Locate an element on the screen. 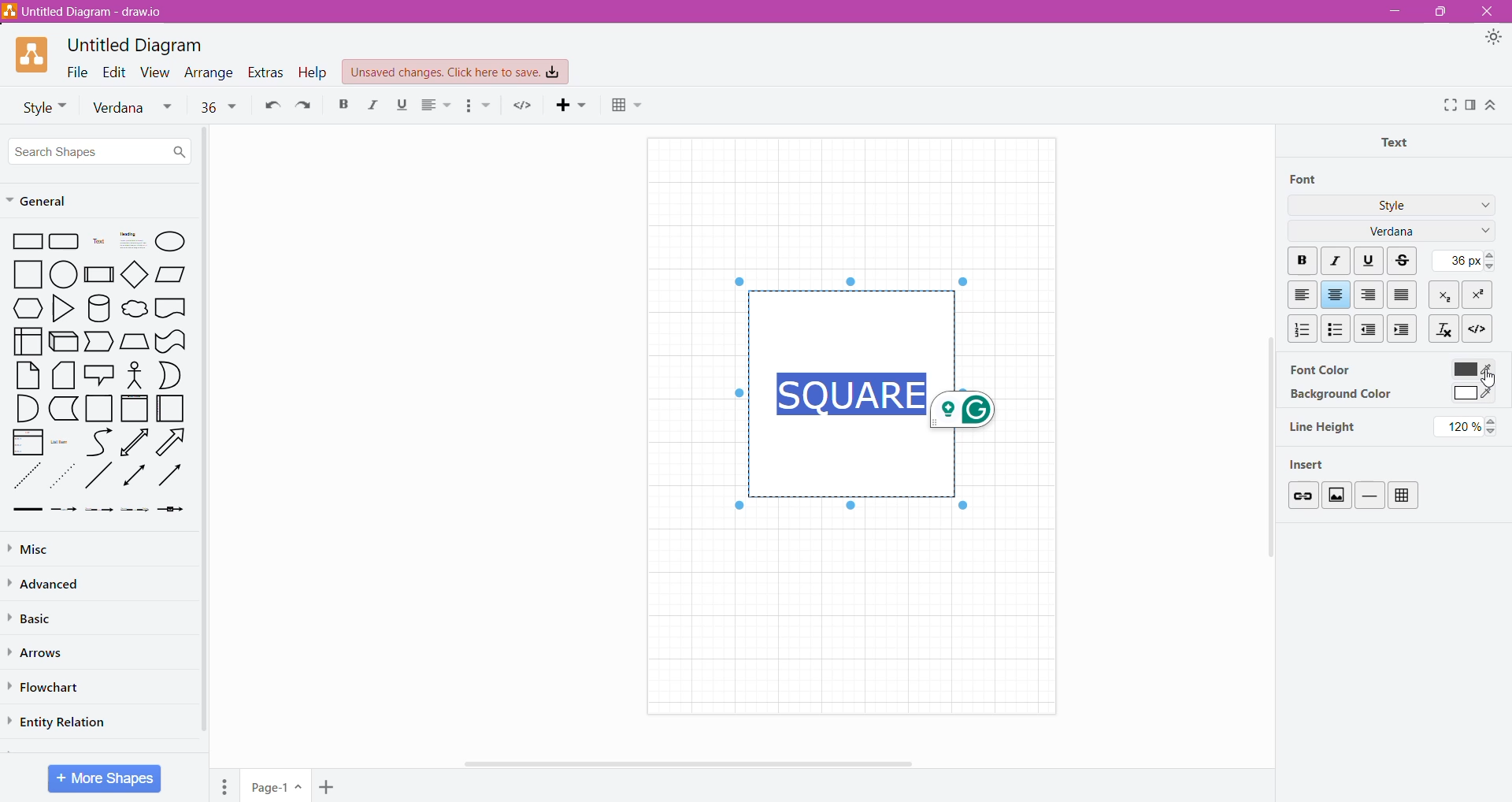 The width and height of the screenshot is (1512, 802). Misc is located at coordinates (47, 547).